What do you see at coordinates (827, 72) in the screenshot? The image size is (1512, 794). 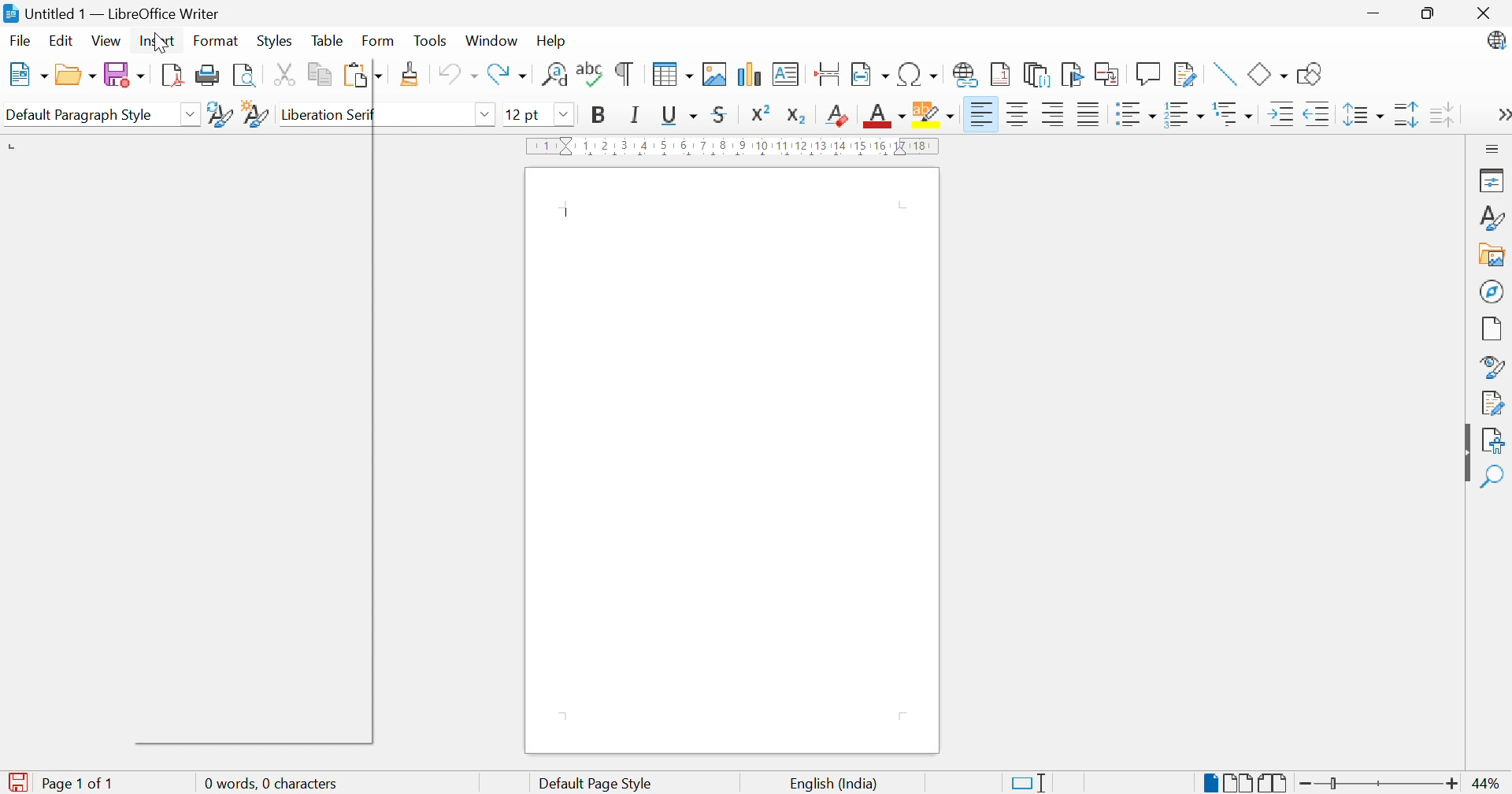 I see `Insert page break` at bounding box center [827, 72].